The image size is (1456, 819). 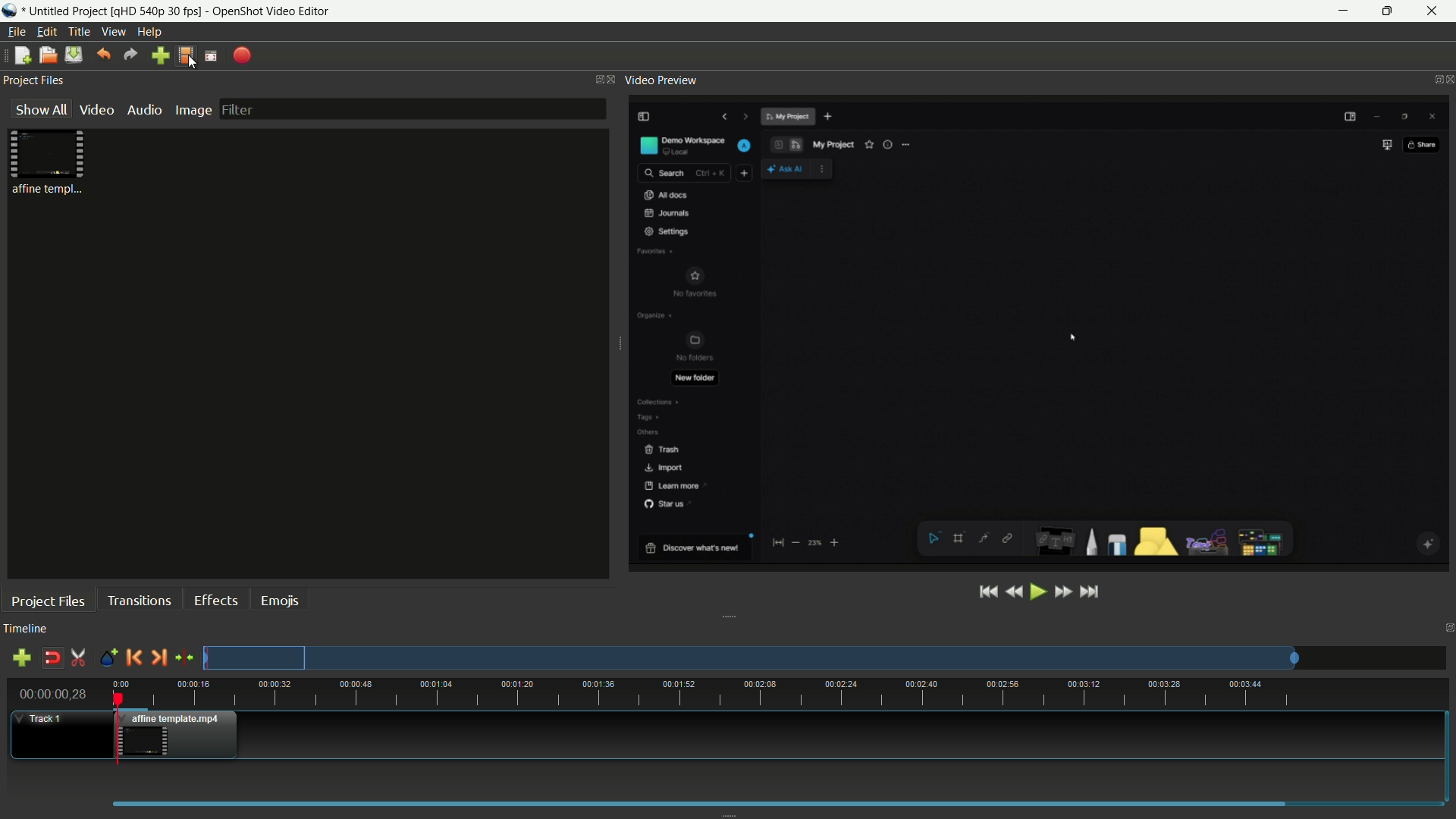 I want to click on video preview, so click(x=661, y=80).